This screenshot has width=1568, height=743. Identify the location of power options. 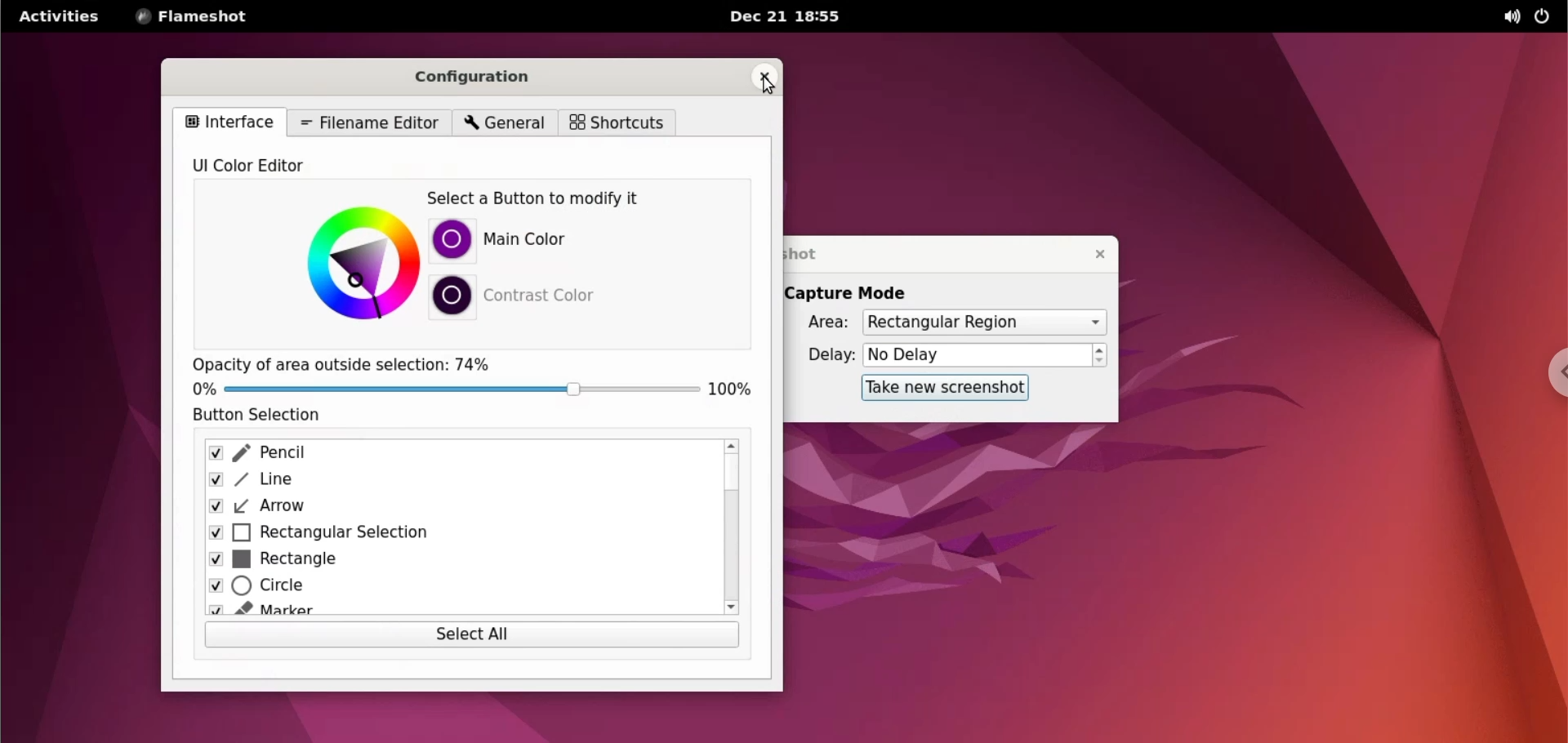
(1543, 17).